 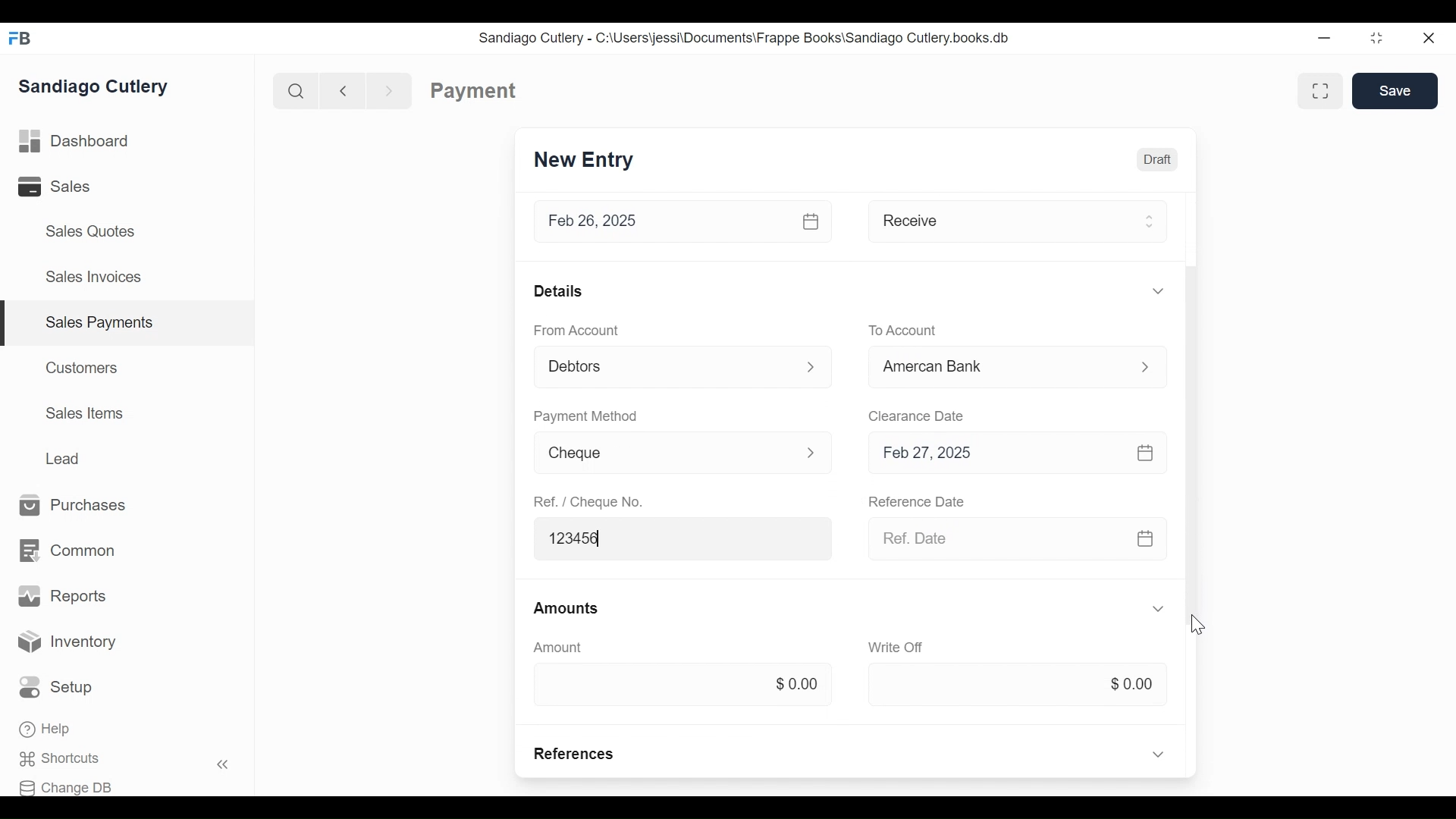 What do you see at coordinates (293, 90) in the screenshot?
I see `Search` at bounding box center [293, 90].